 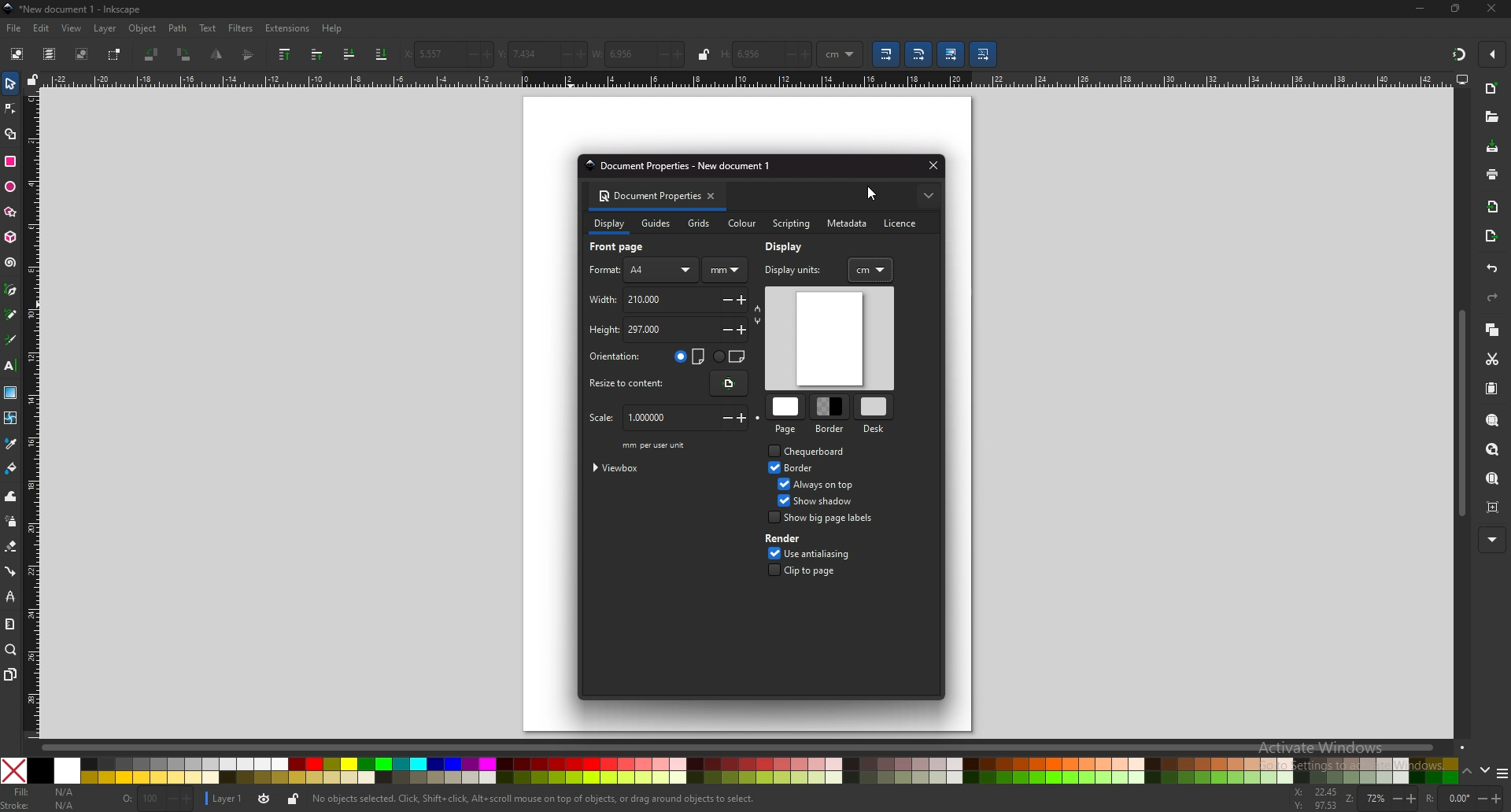 What do you see at coordinates (804, 468) in the screenshot?
I see `border` at bounding box center [804, 468].